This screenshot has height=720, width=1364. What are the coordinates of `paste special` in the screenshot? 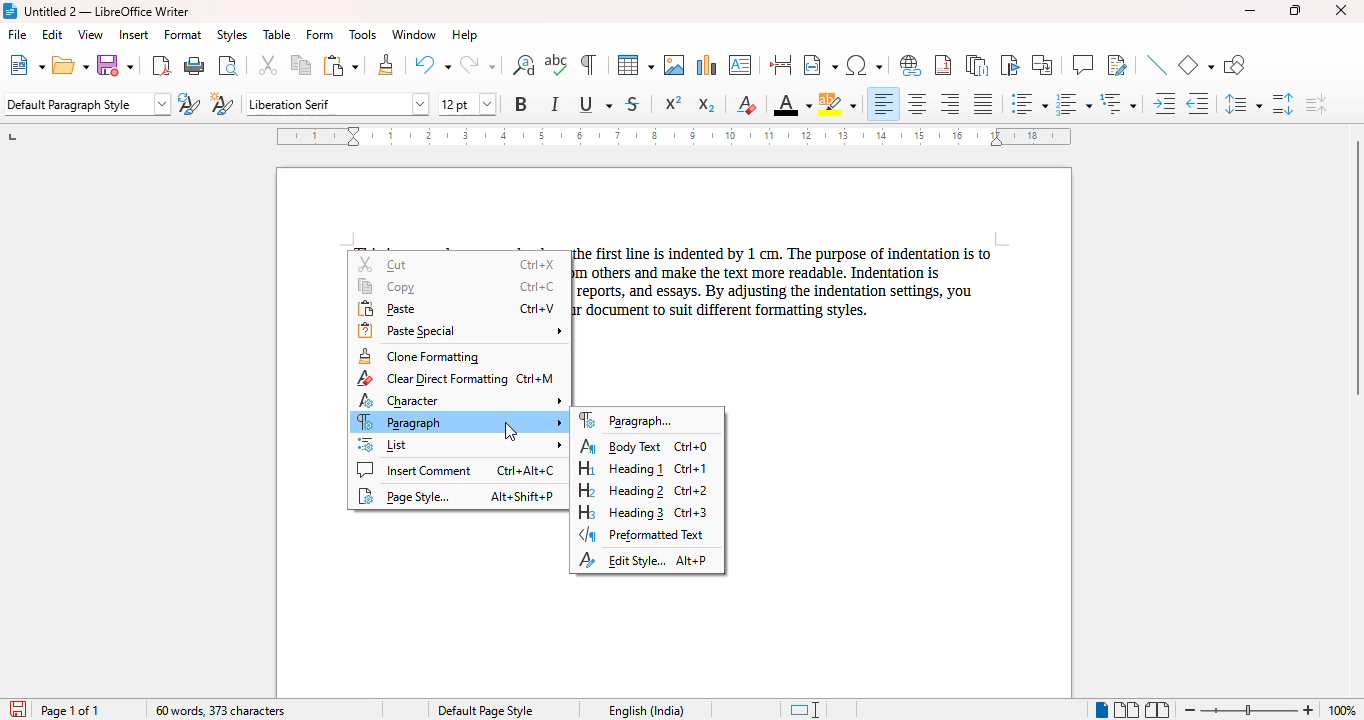 It's located at (460, 331).